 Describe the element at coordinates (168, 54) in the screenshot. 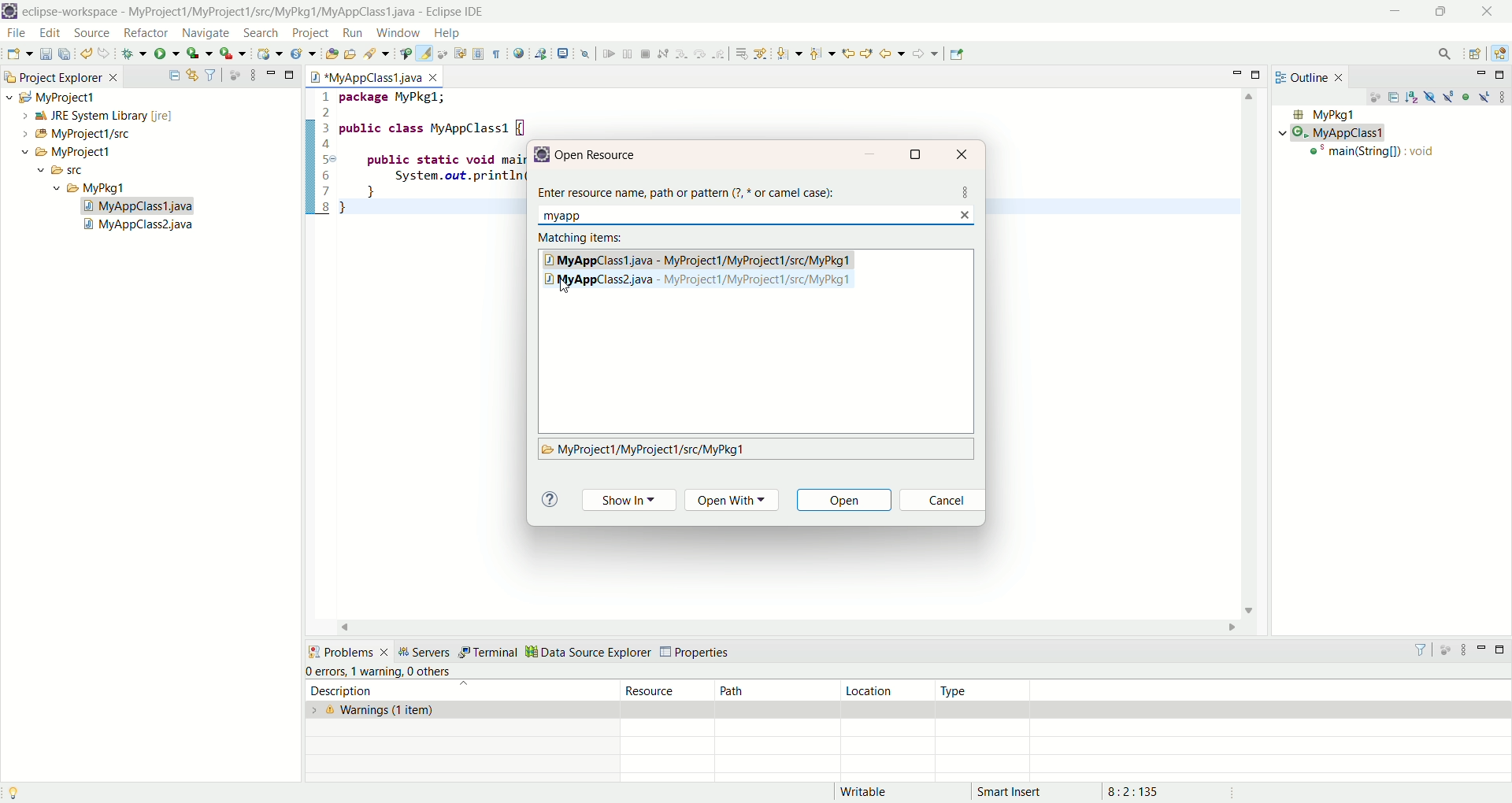

I see `run` at that location.